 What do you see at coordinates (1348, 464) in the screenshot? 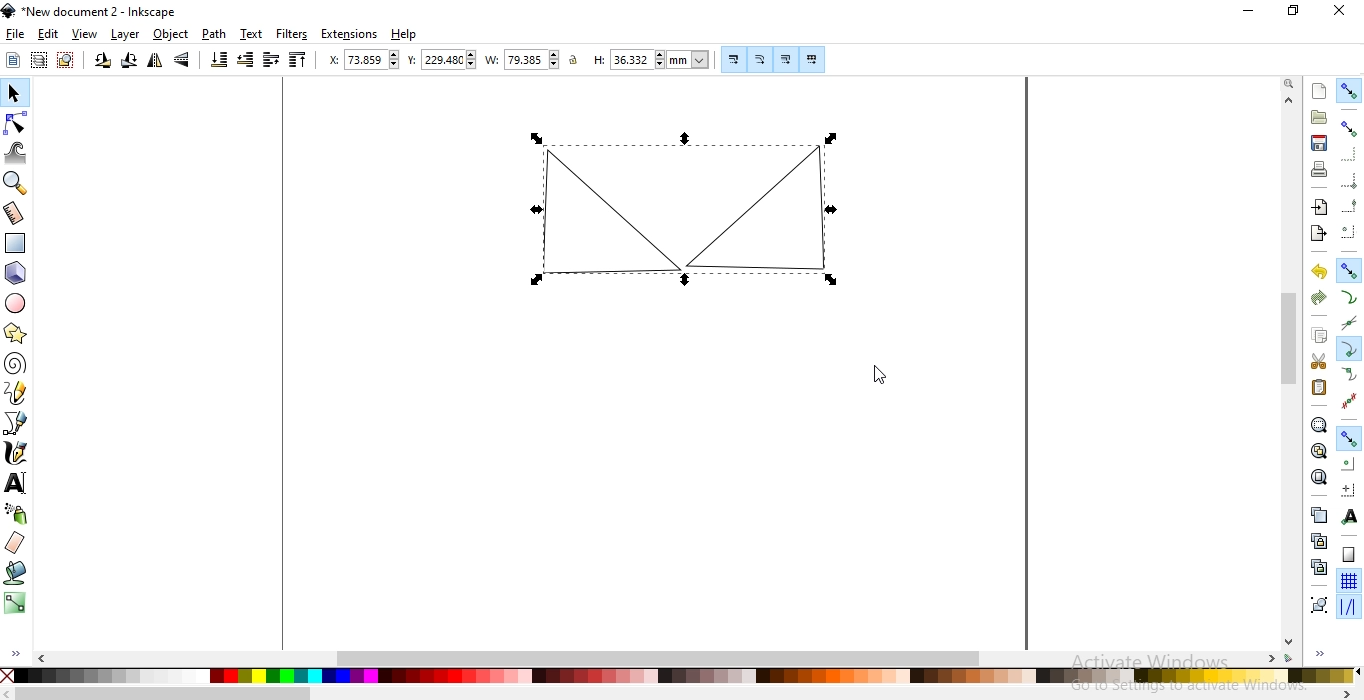
I see `snap centers of objects` at bounding box center [1348, 464].